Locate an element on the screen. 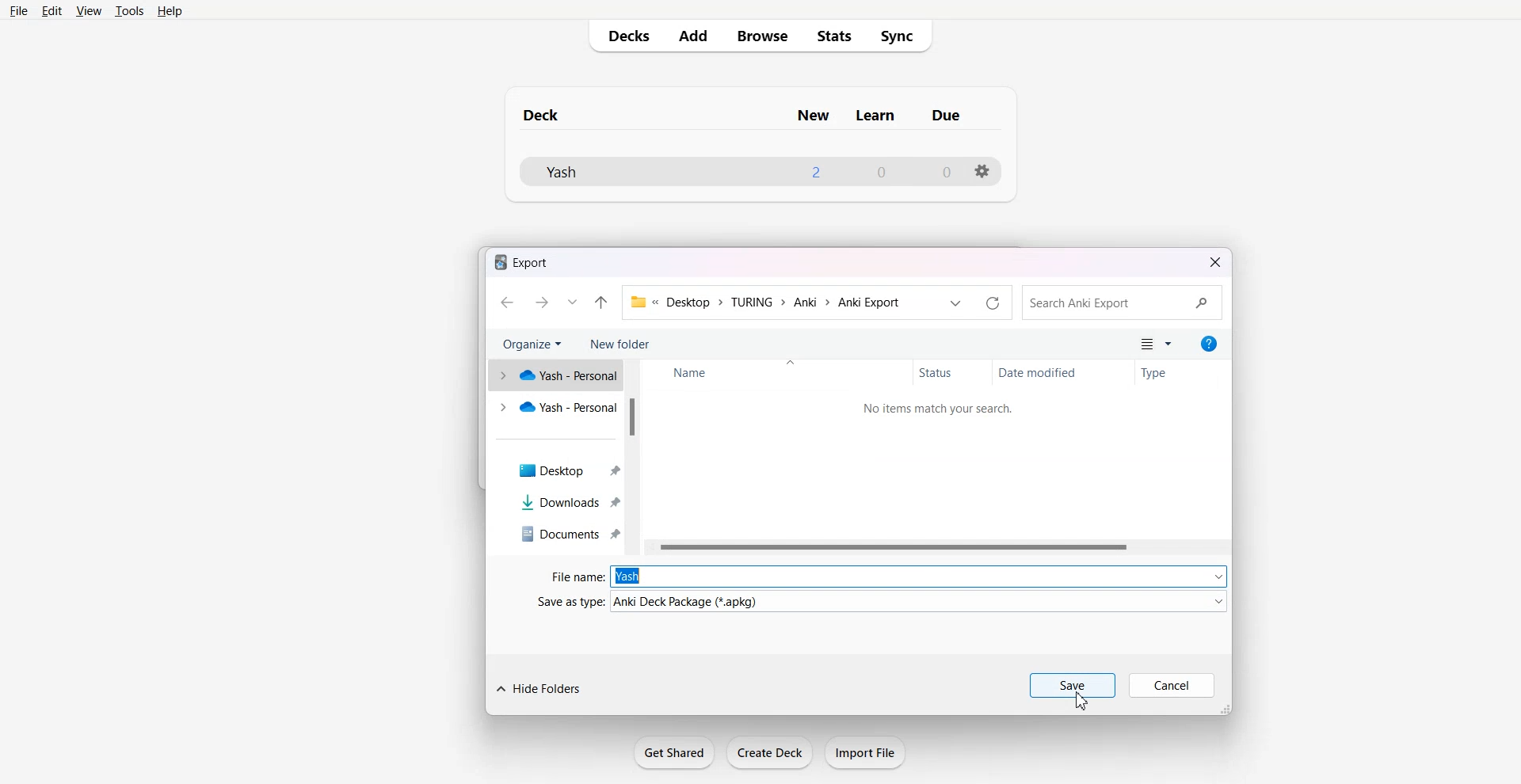 The image size is (1521, 784). Save is located at coordinates (1074, 686).